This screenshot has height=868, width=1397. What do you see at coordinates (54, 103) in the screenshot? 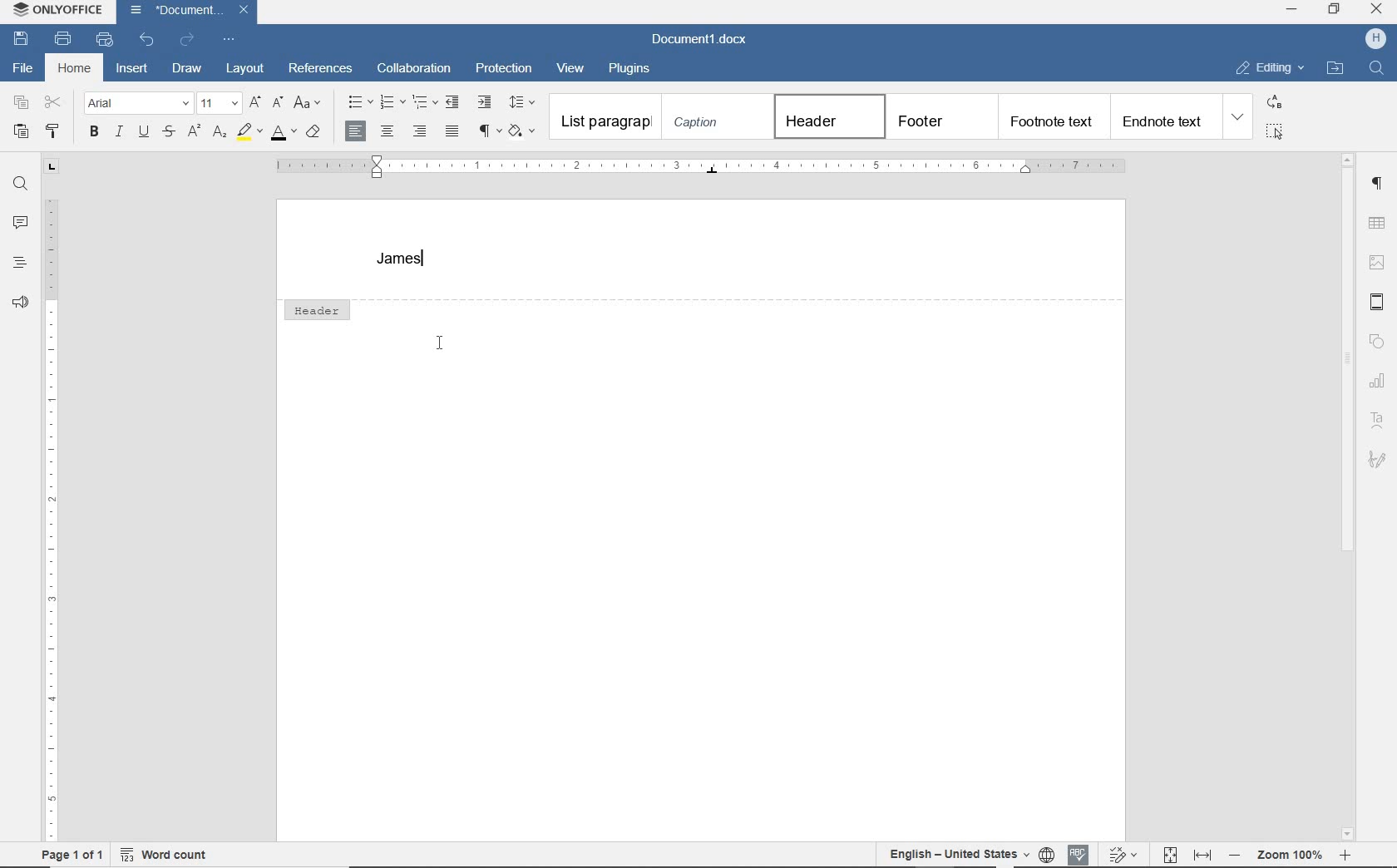
I see `cut` at bounding box center [54, 103].